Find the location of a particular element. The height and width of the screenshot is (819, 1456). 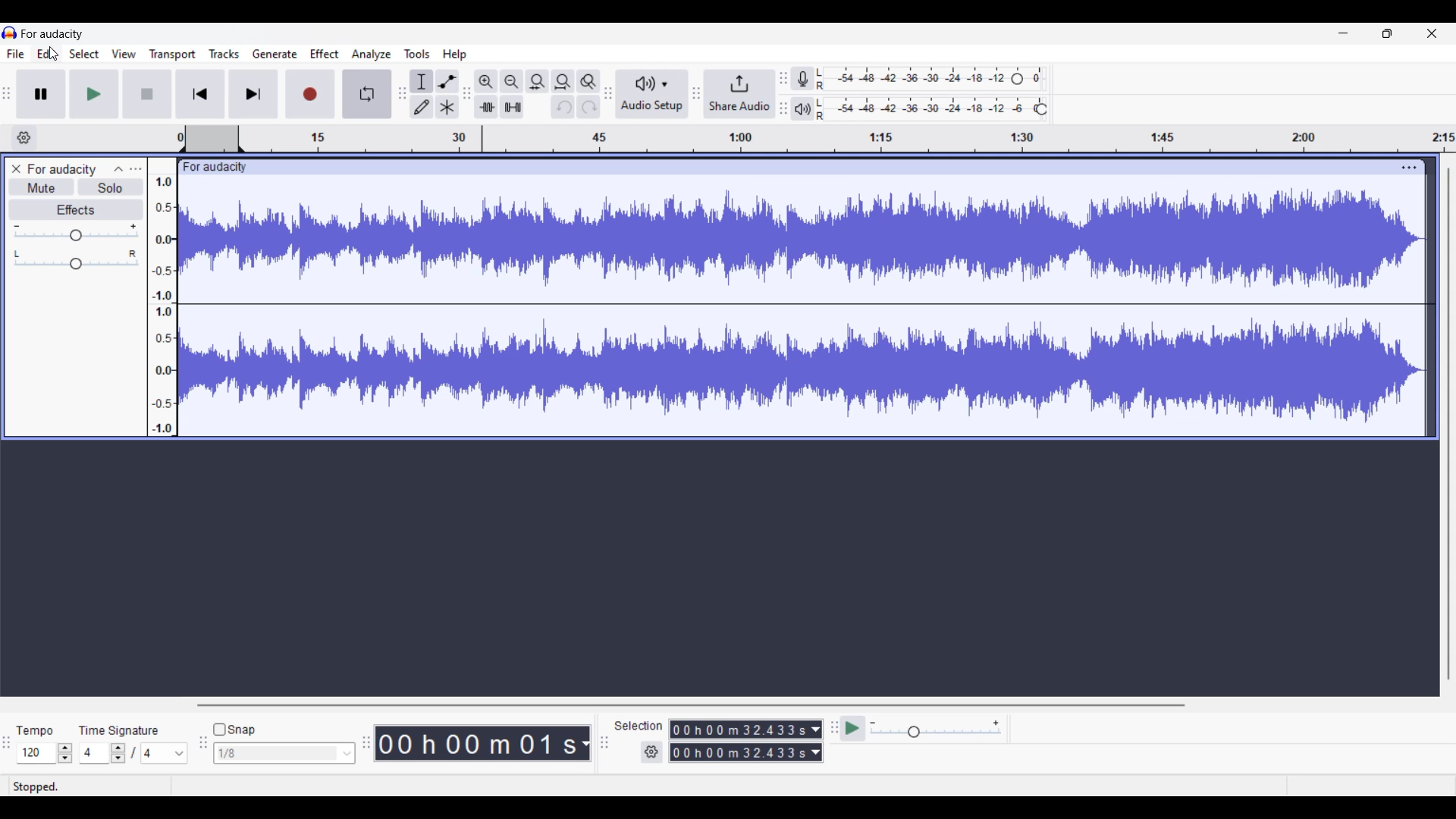

Trim audio outside selection is located at coordinates (486, 106).